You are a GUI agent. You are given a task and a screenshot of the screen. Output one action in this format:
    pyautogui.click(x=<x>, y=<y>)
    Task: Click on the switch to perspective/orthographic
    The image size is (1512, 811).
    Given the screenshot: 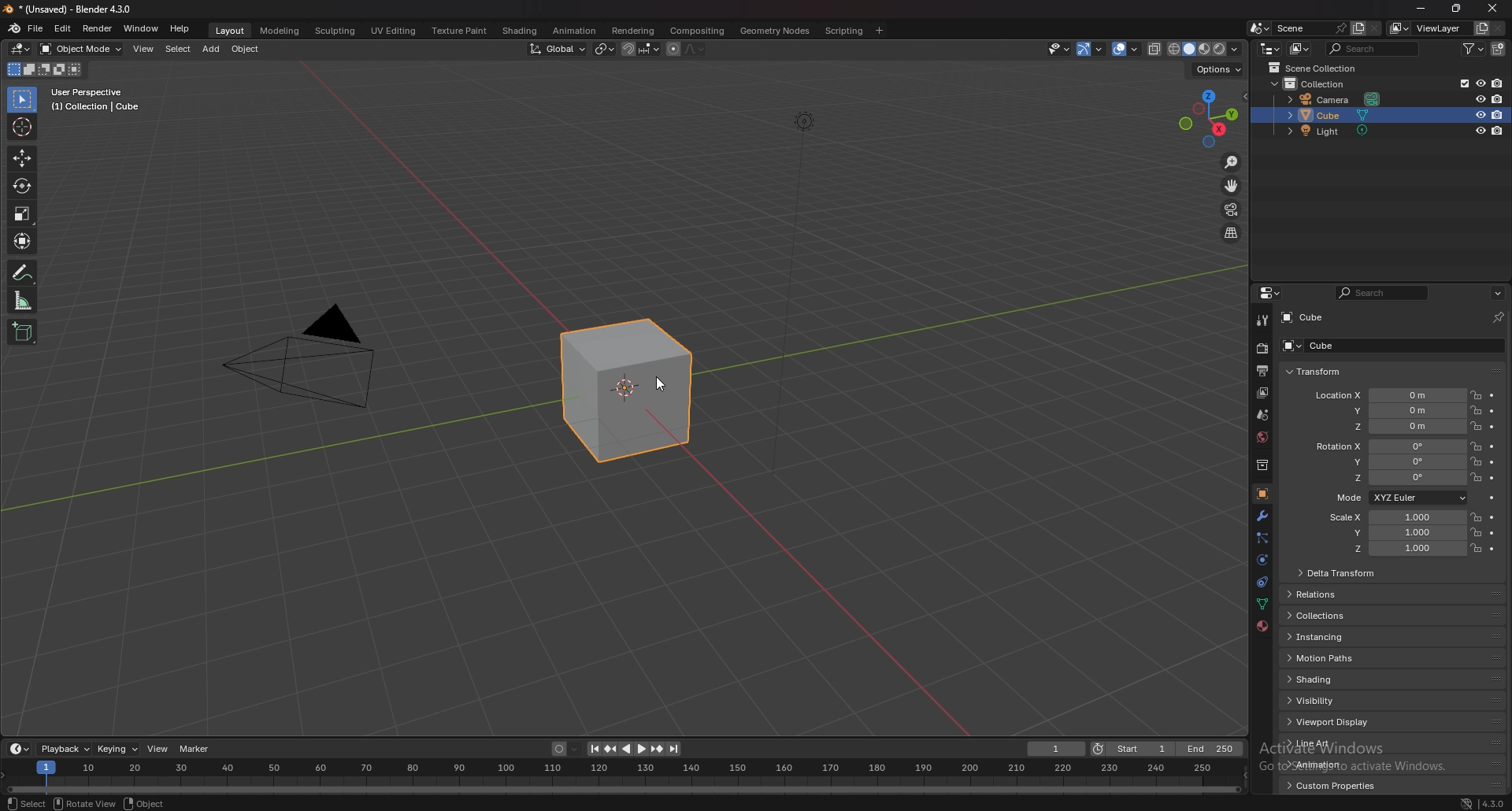 What is the action you would take?
    pyautogui.click(x=1231, y=234)
    